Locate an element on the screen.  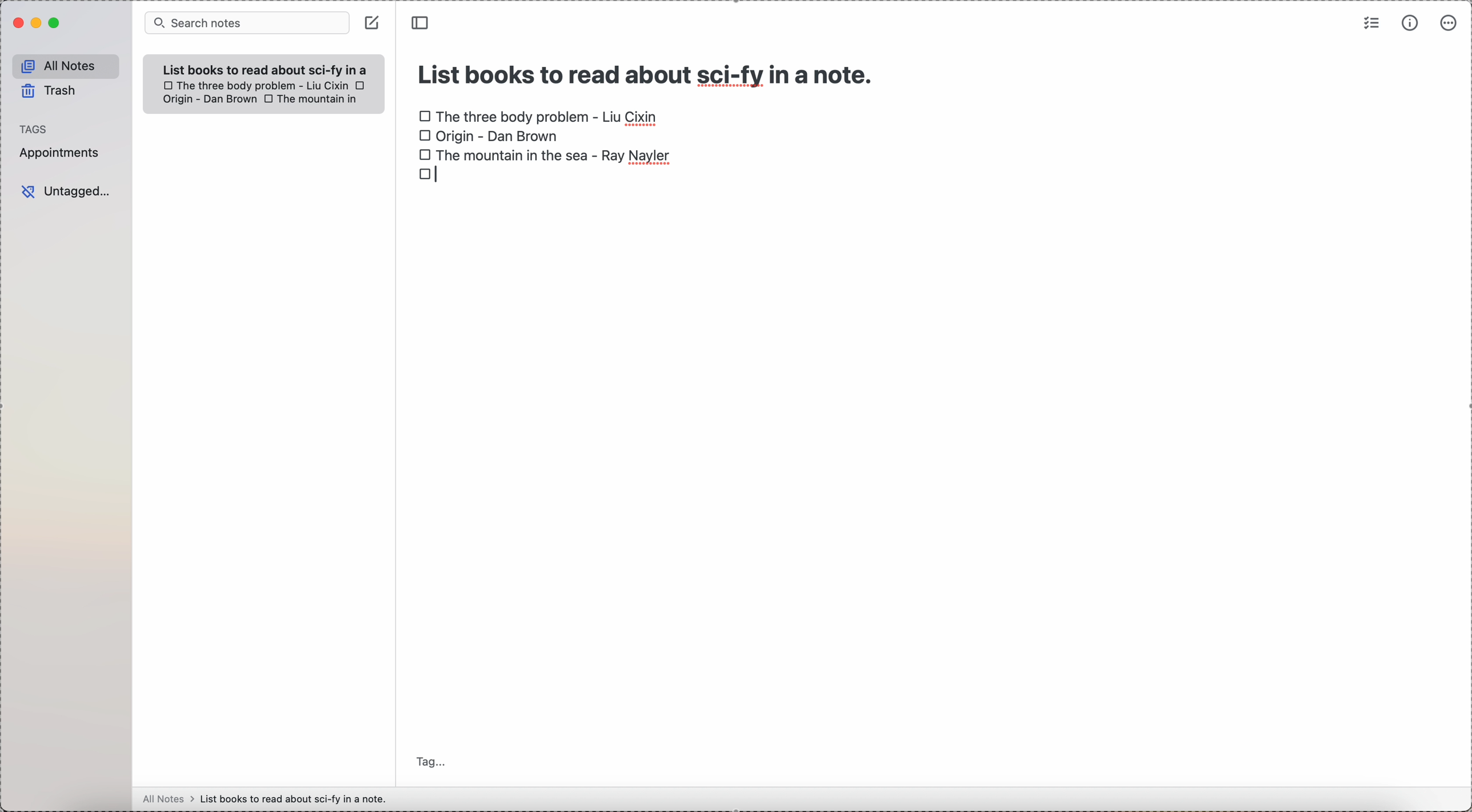
appointments tag is located at coordinates (60, 154).